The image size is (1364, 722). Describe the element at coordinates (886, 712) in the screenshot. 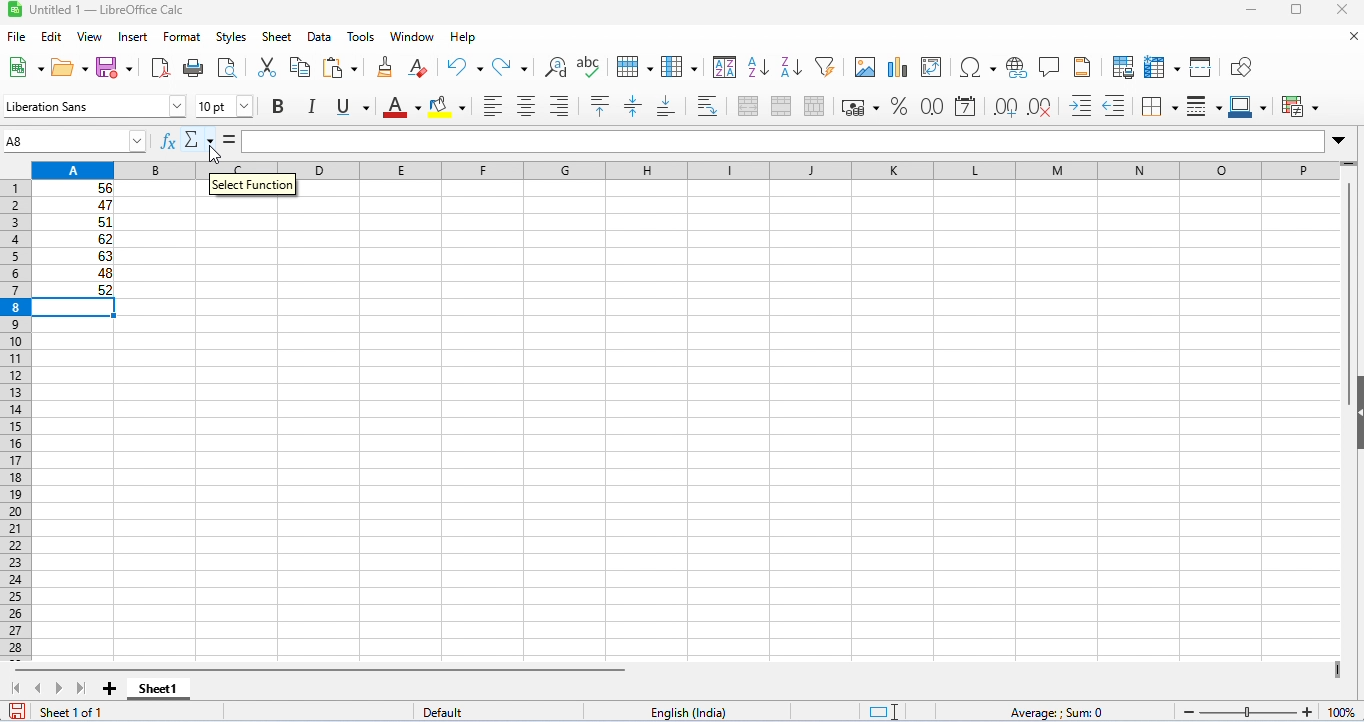

I see `standard selection` at that location.